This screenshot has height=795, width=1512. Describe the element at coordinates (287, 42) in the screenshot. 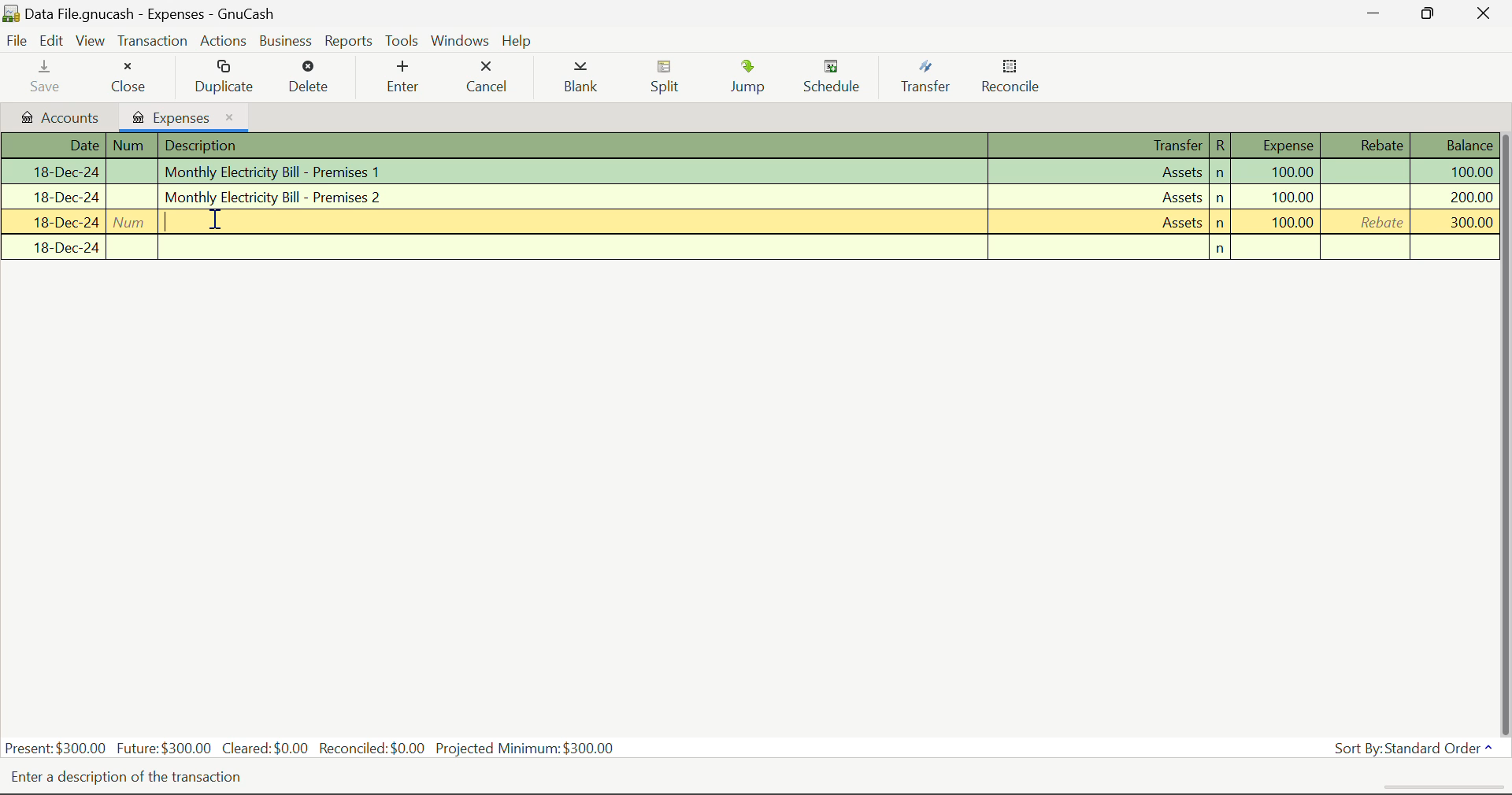

I see `Business` at that location.